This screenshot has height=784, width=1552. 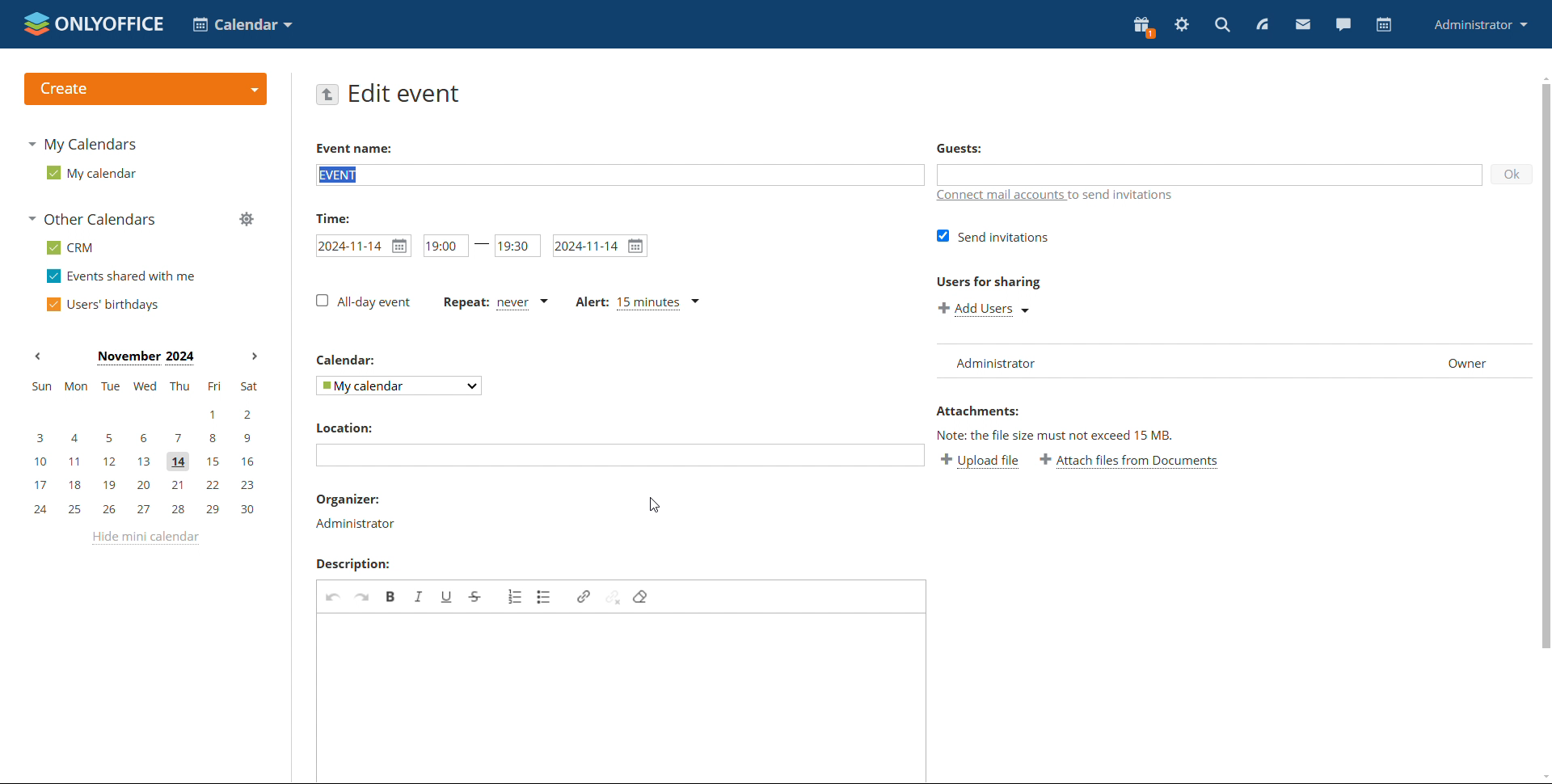 I want to click on users for sharing, so click(x=993, y=284).